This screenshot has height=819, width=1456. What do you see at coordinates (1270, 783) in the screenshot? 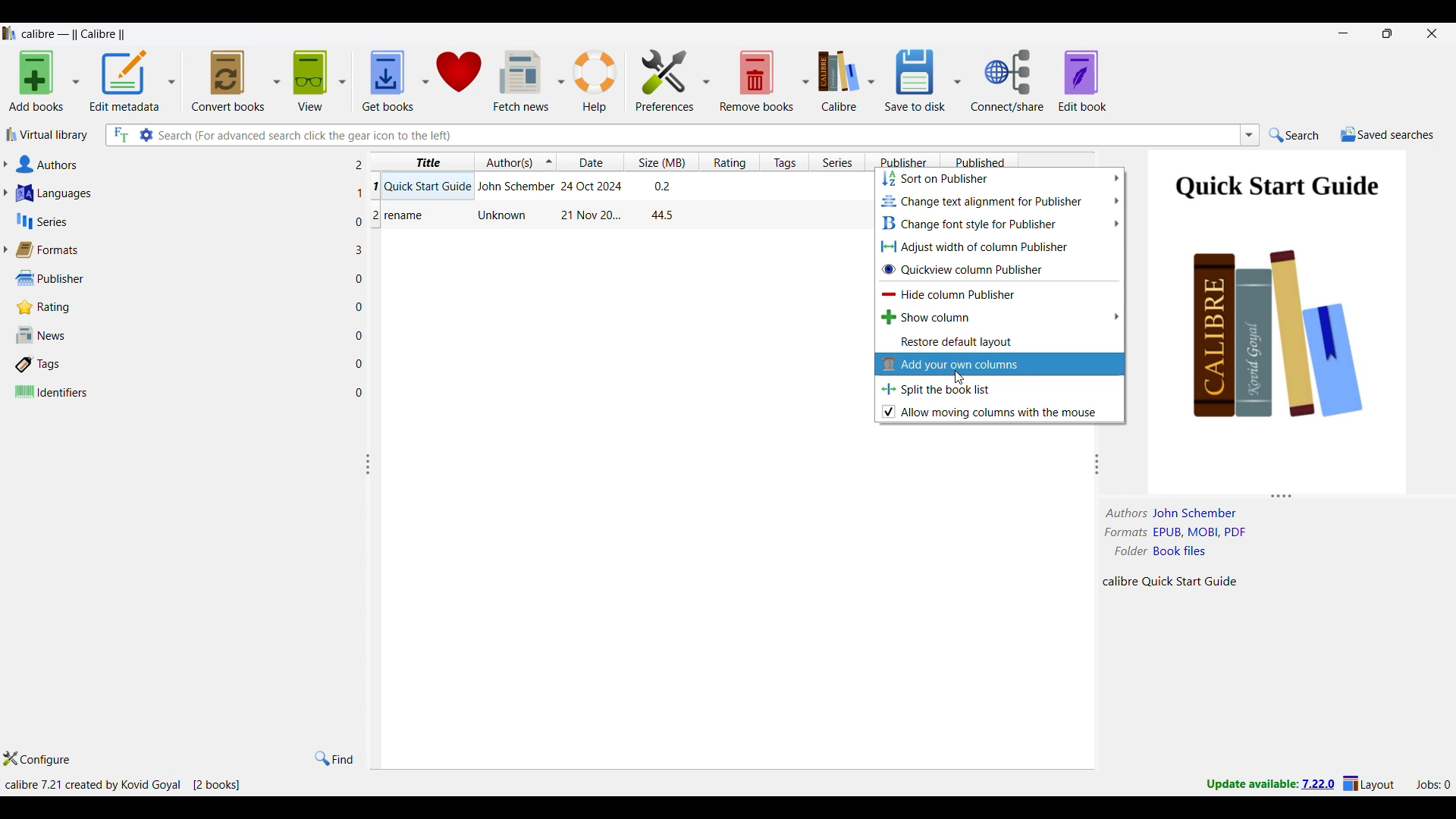
I see `New version update notifcation` at bounding box center [1270, 783].